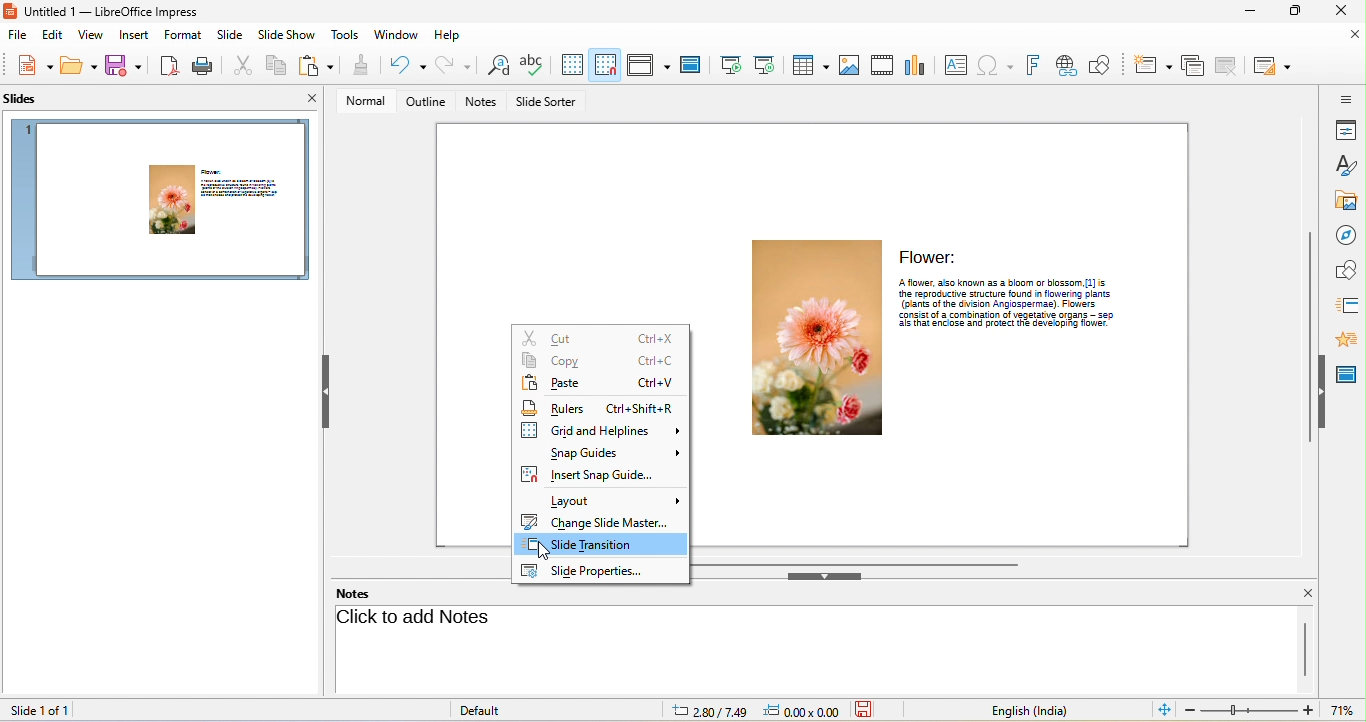 Image resolution: width=1366 pixels, height=722 pixels. Describe the element at coordinates (315, 99) in the screenshot. I see `close` at that location.